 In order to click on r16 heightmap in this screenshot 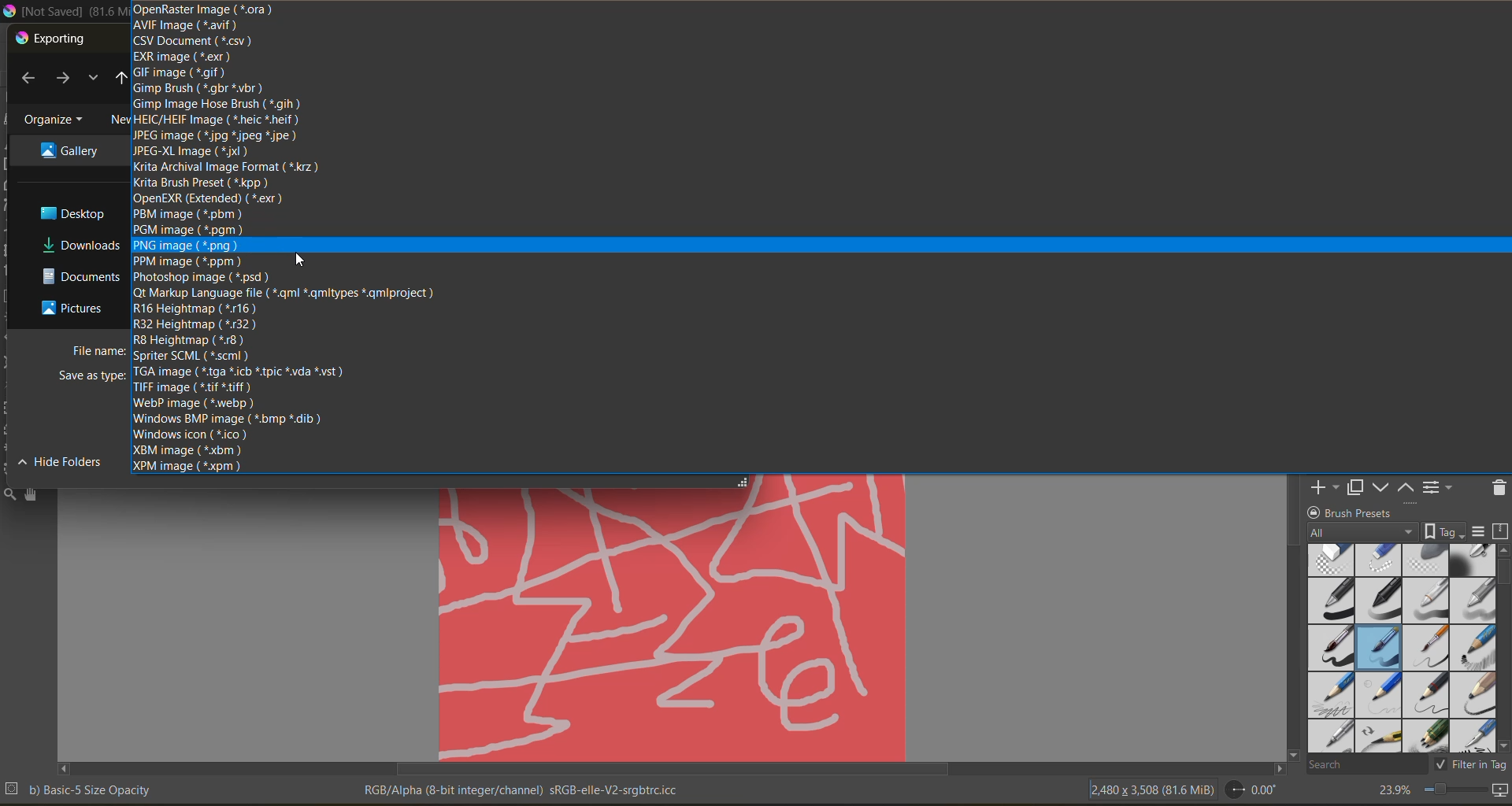, I will do `click(195, 308)`.